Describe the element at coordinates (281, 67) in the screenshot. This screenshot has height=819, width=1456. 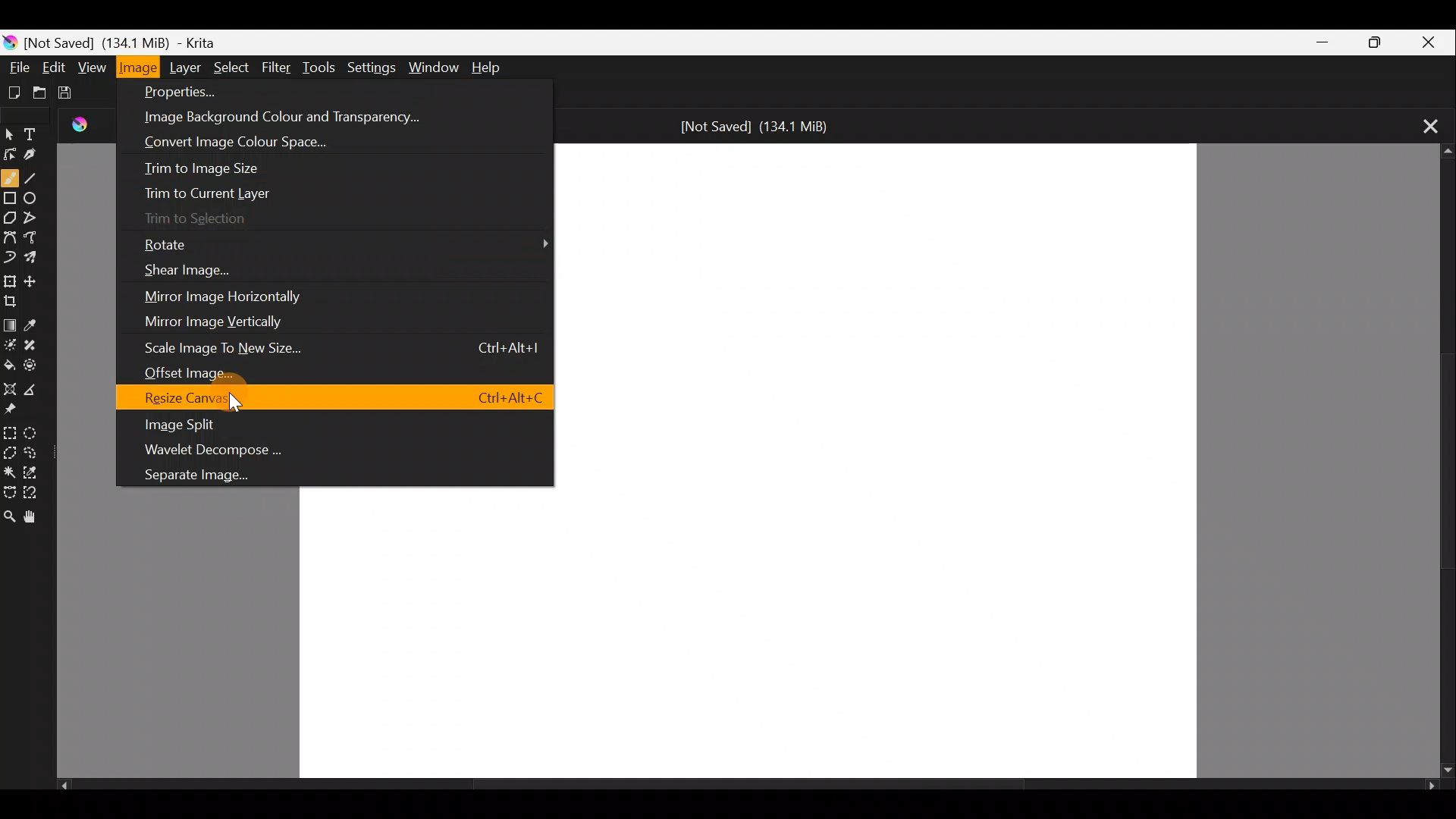
I see `Filter` at that location.